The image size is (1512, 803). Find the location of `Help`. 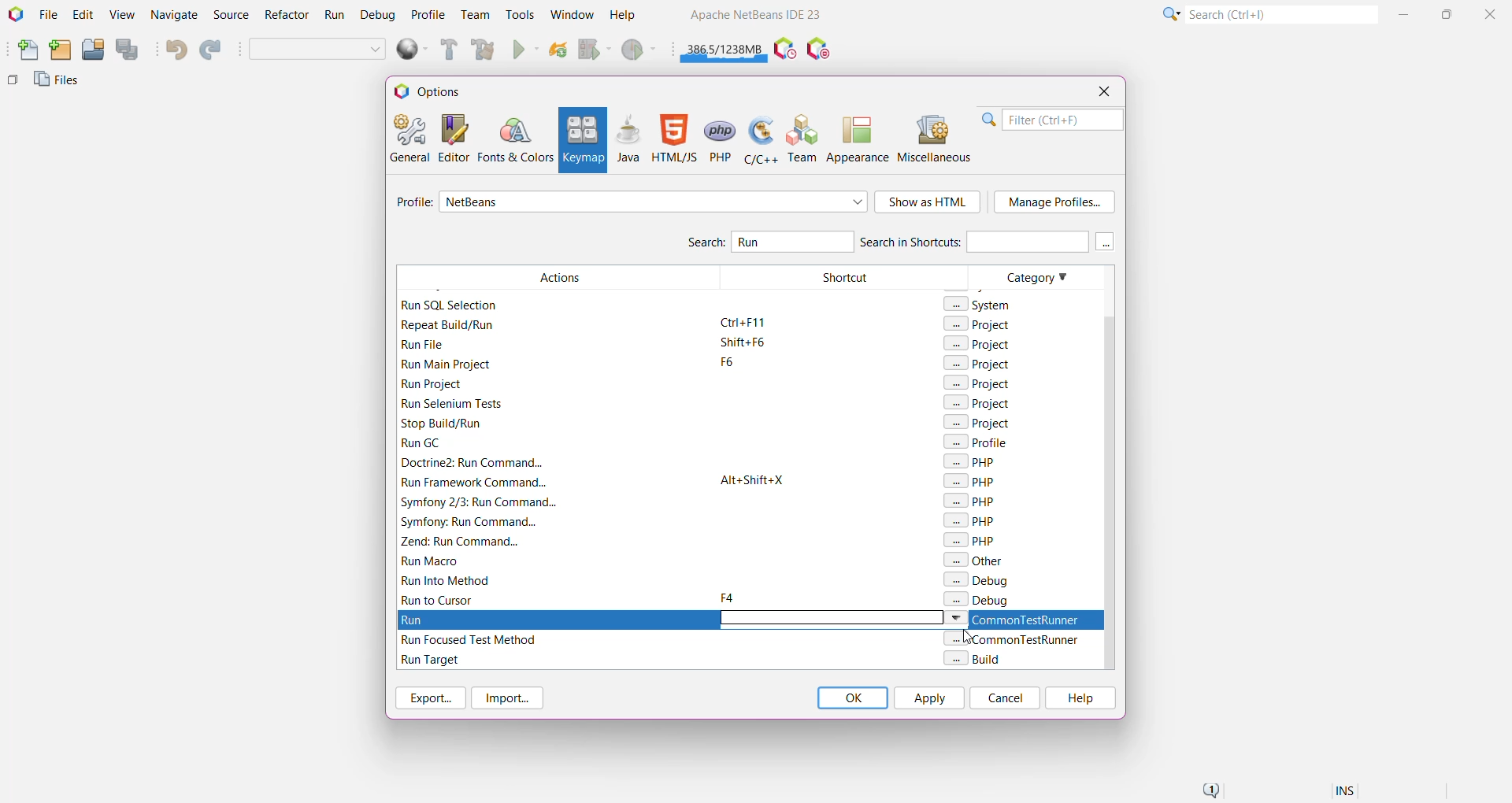

Help is located at coordinates (630, 17).